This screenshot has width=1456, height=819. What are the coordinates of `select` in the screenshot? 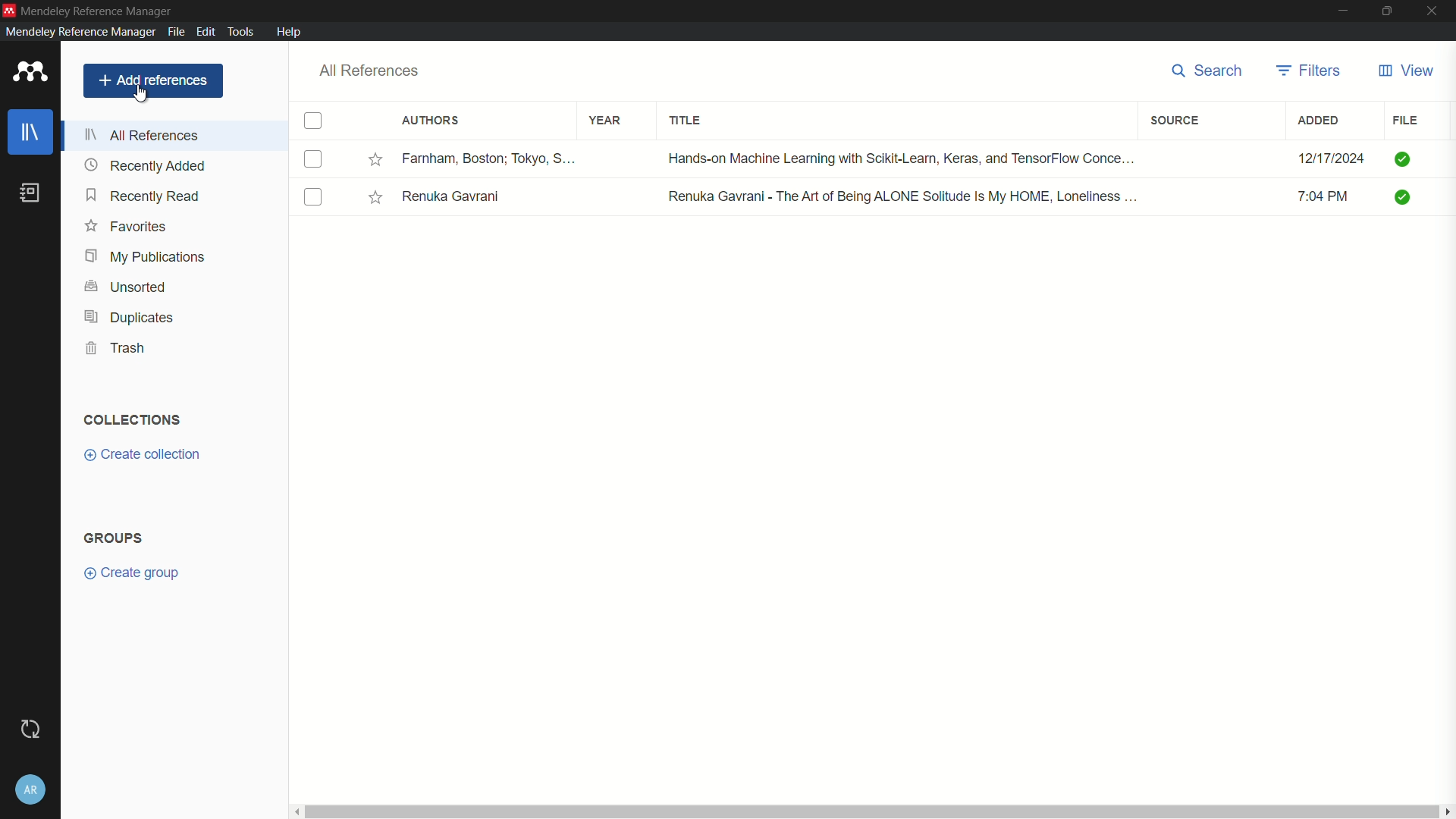 It's located at (312, 160).